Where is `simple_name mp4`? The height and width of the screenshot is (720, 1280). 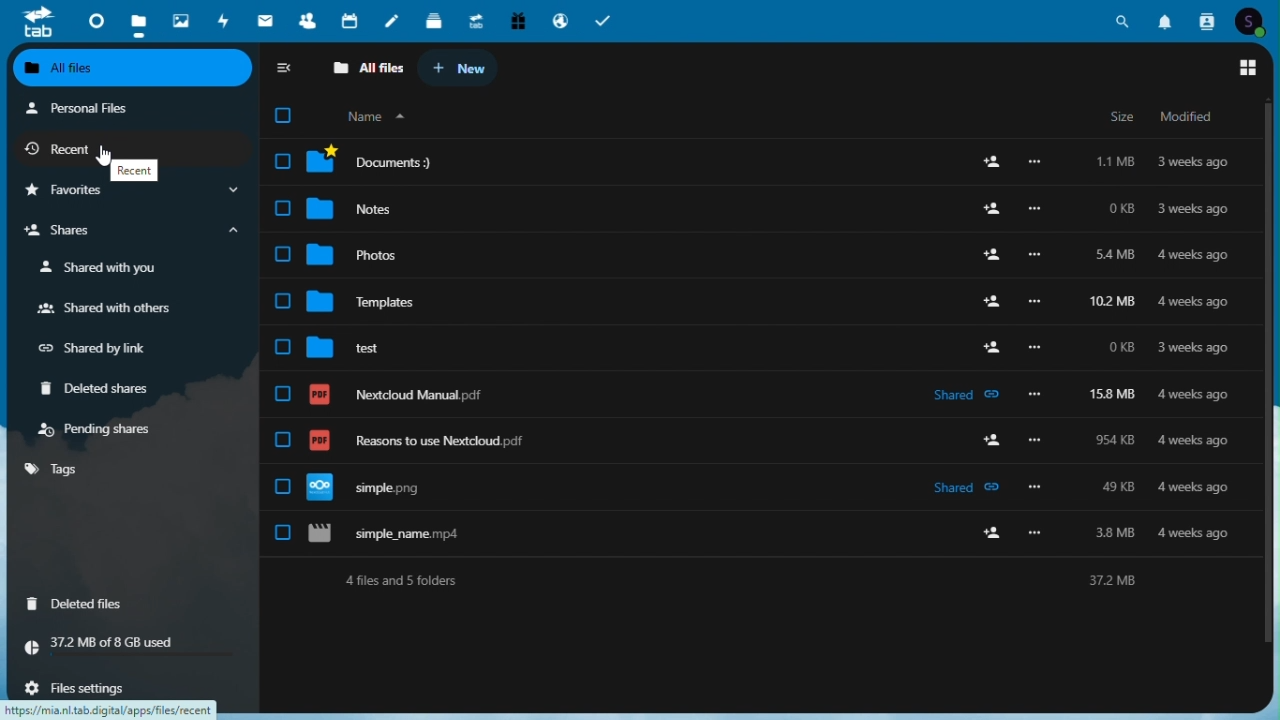
simple_name mp4 is located at coordinates (751, 535).